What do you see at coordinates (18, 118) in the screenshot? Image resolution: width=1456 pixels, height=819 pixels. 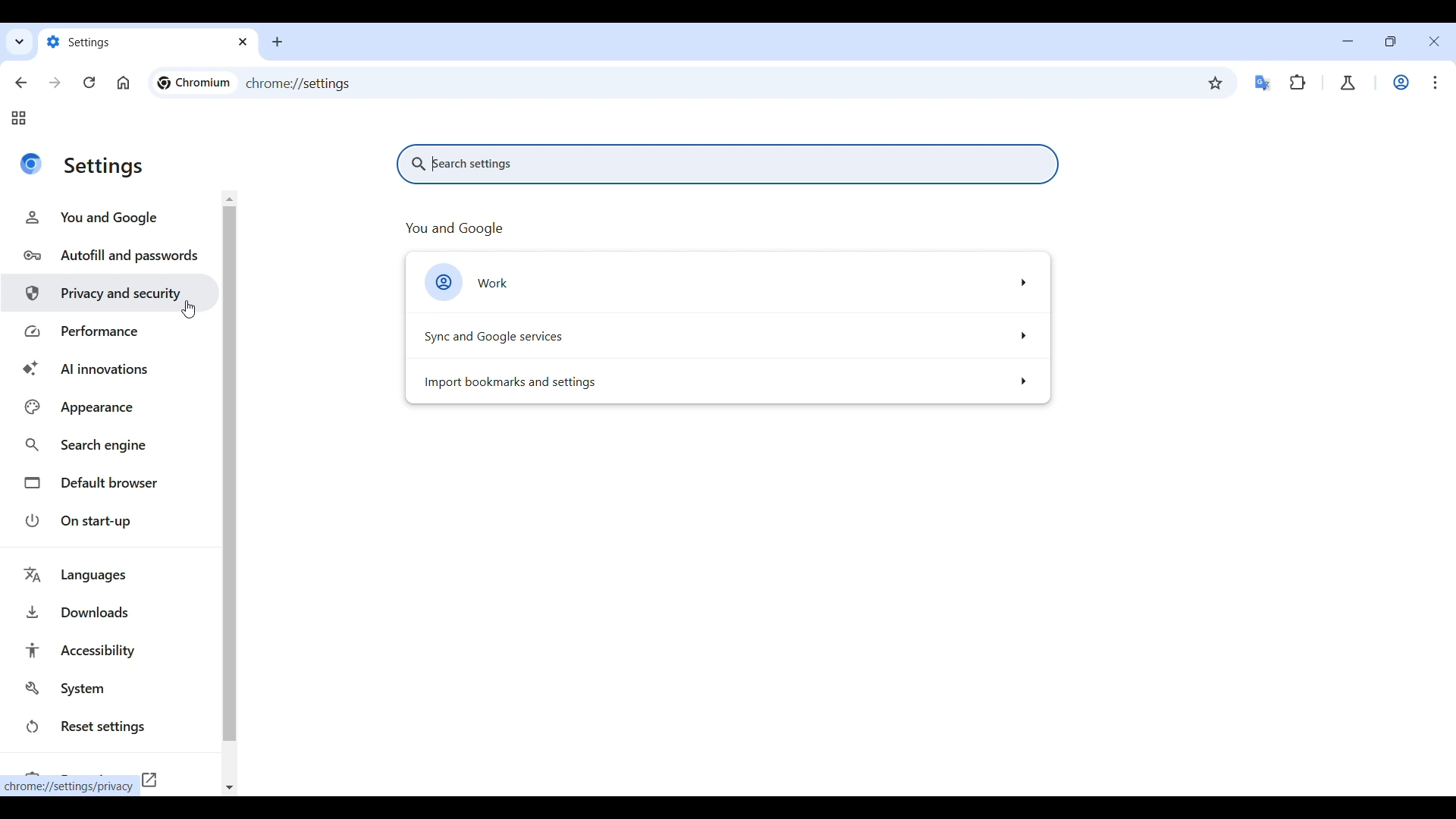 I see `Tab groups` at bounding box center [18, 118].